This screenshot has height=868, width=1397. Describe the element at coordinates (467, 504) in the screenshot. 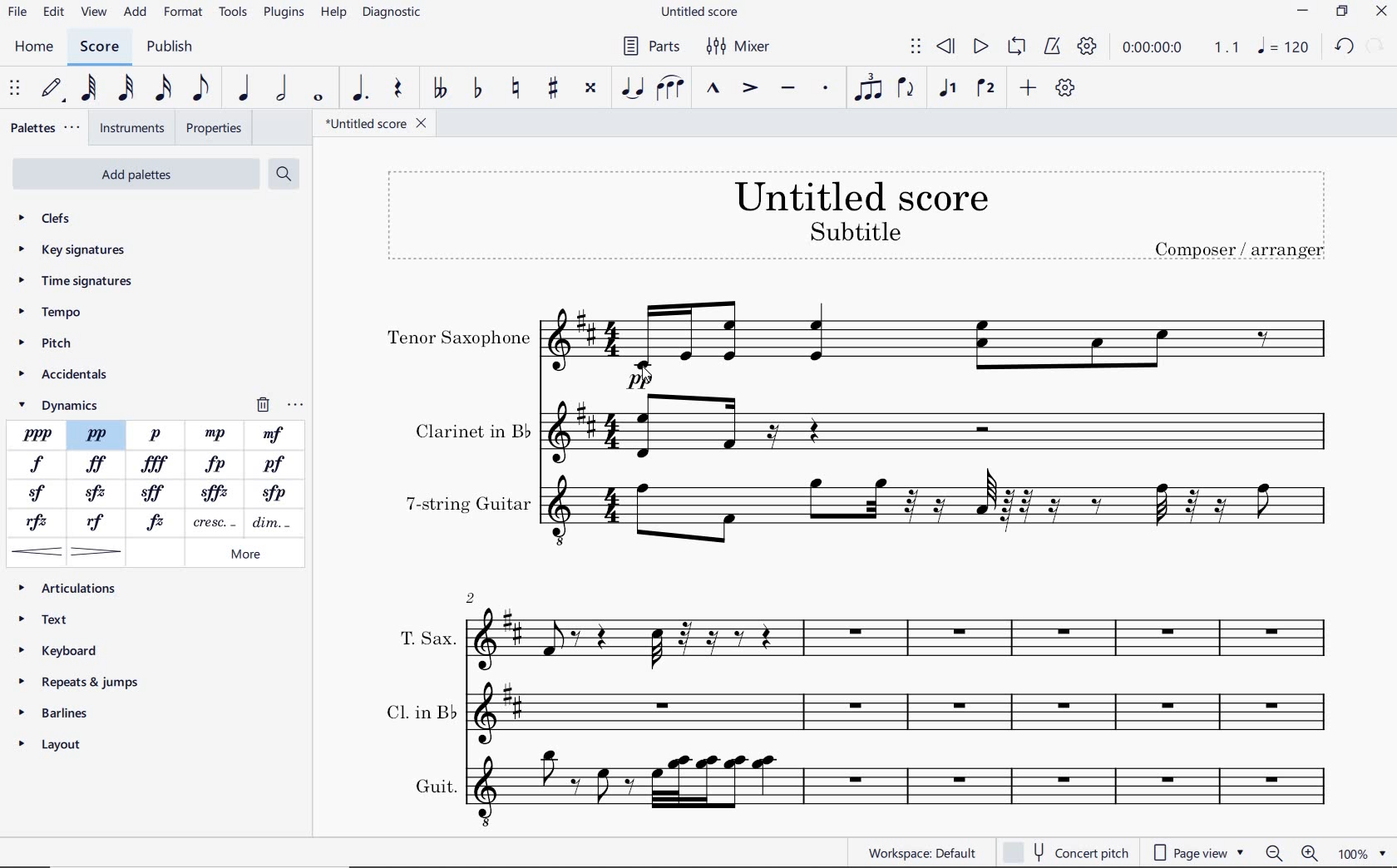

I see `text` at that location.